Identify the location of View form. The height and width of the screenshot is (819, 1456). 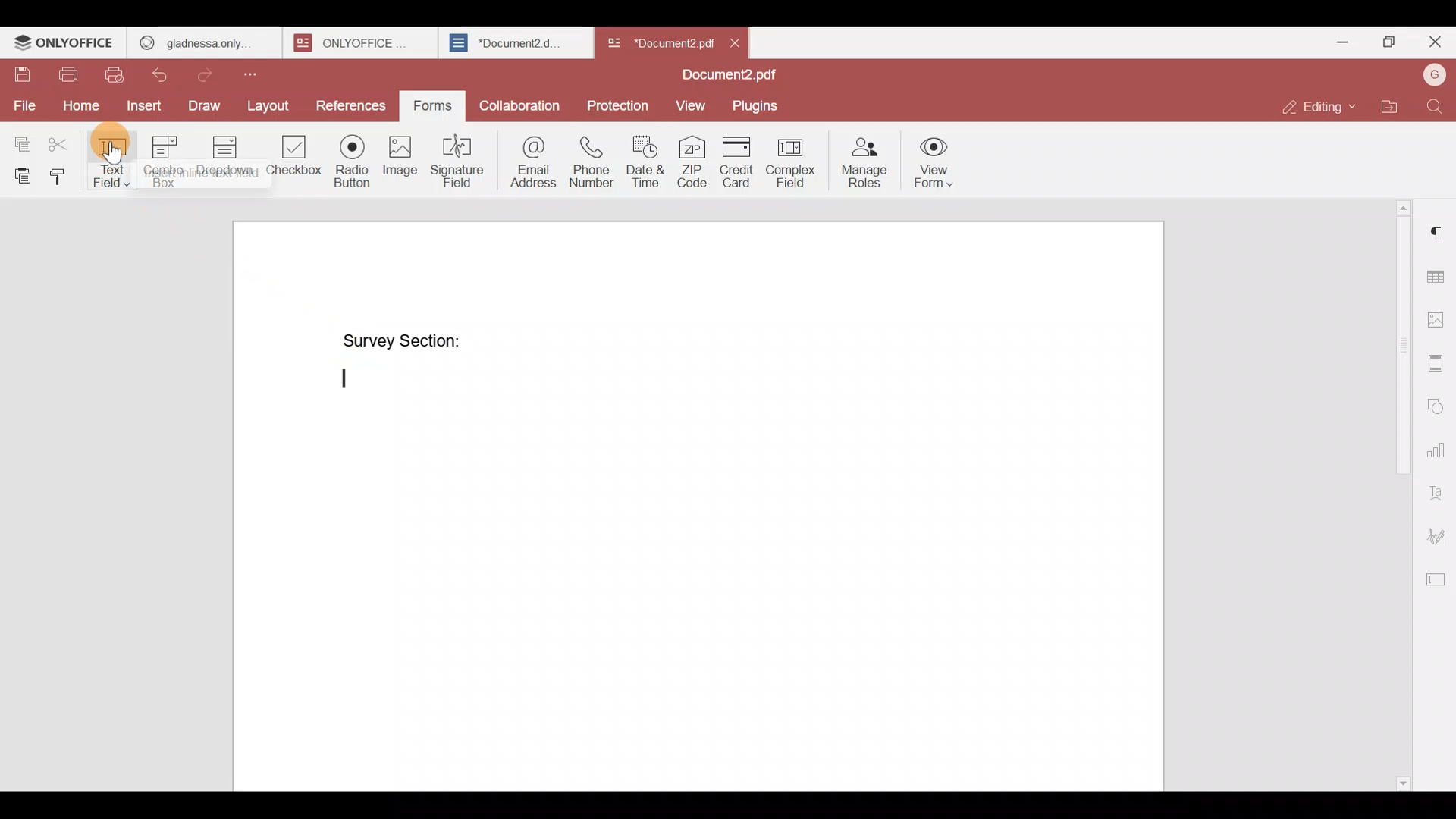
(931, 162).